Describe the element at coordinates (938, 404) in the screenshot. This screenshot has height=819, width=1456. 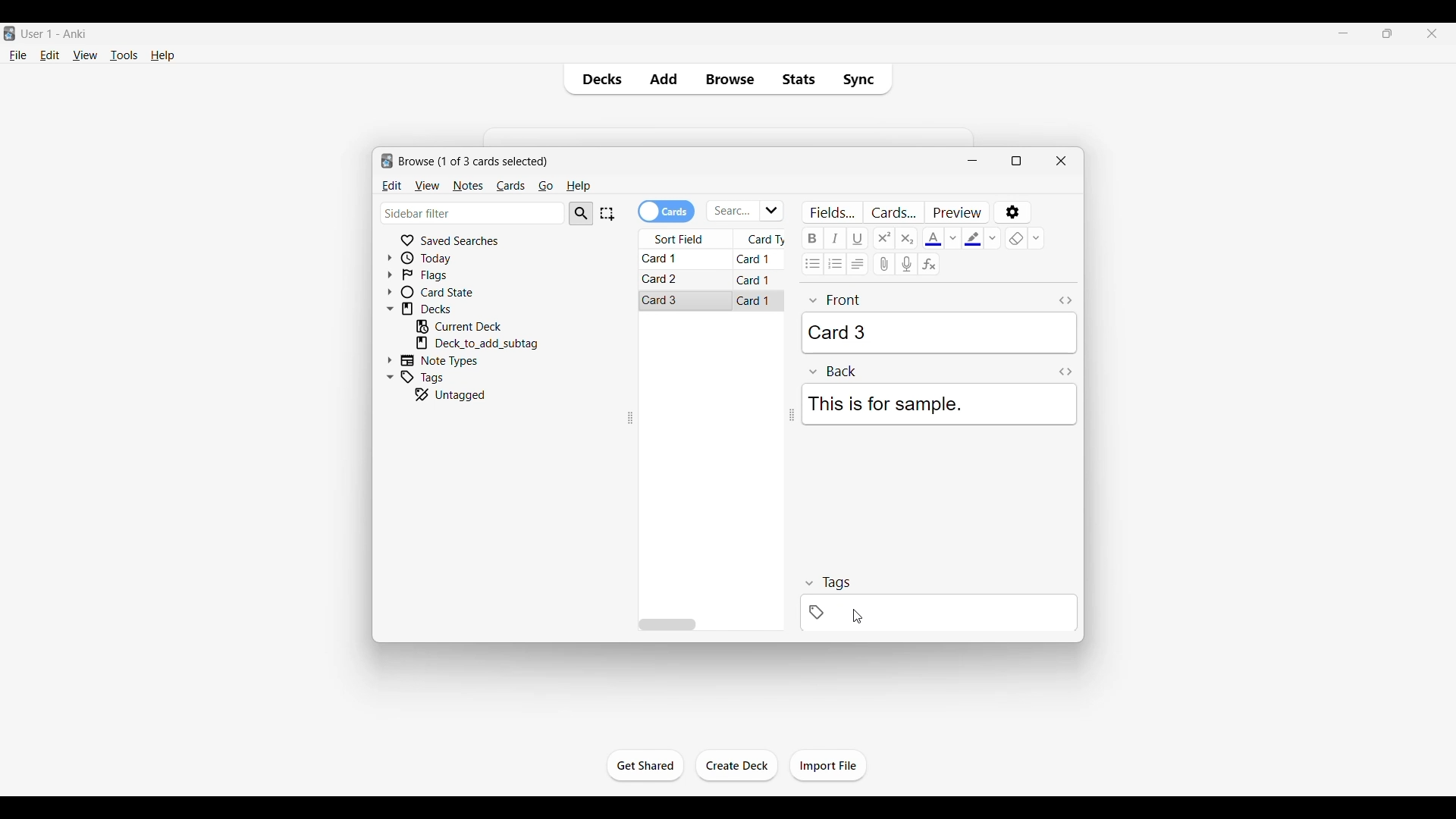
I see `This is for sample` at that location.